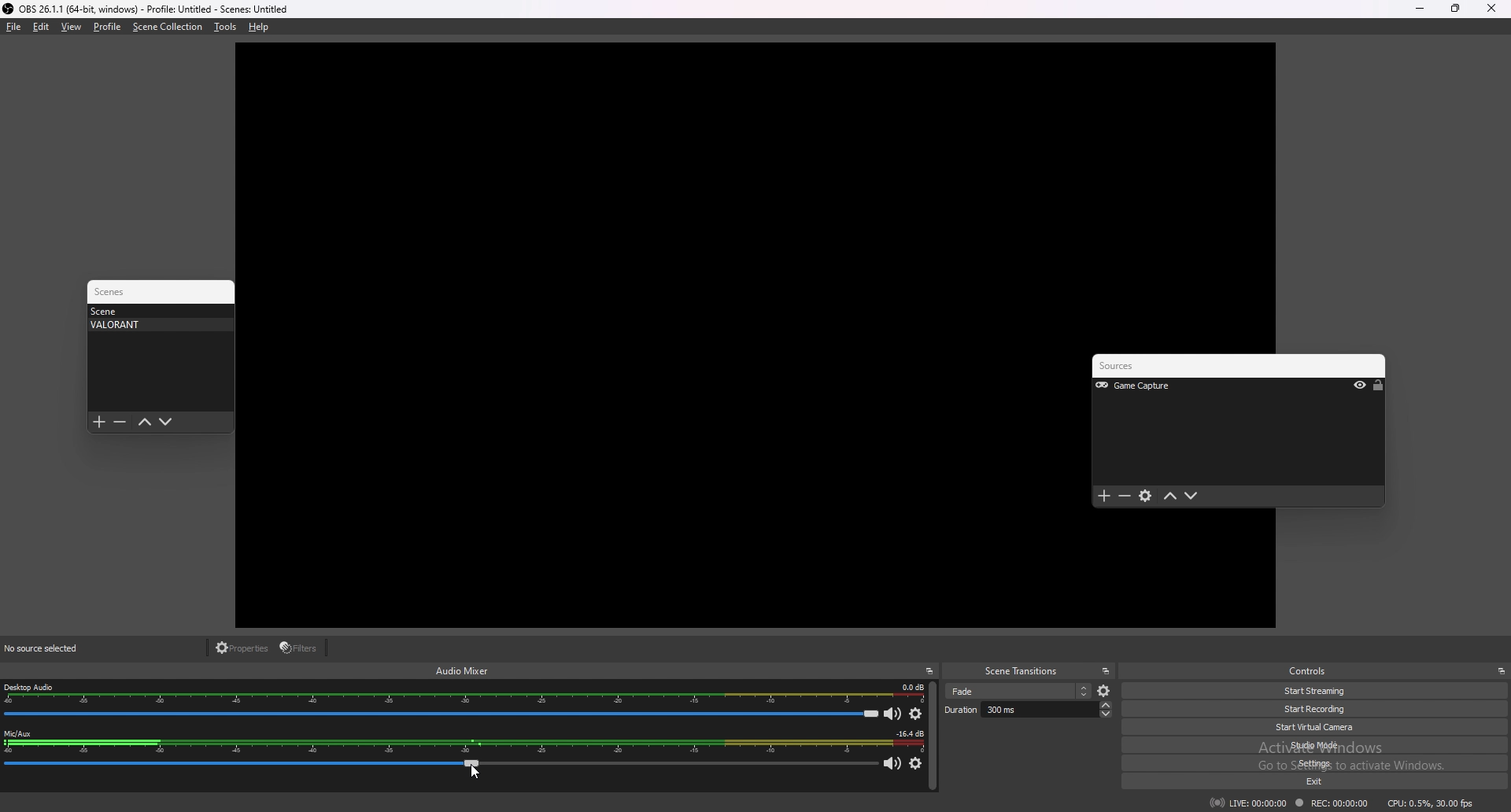 Image resolution: width=1511 pixels, height=812 pixels. What do you see at coordinates (146, 9) in the screenshot?
I see `obs 26.1.1(64 bit windows) profile untitled scenes untitled` at bounding box center [146, 9].